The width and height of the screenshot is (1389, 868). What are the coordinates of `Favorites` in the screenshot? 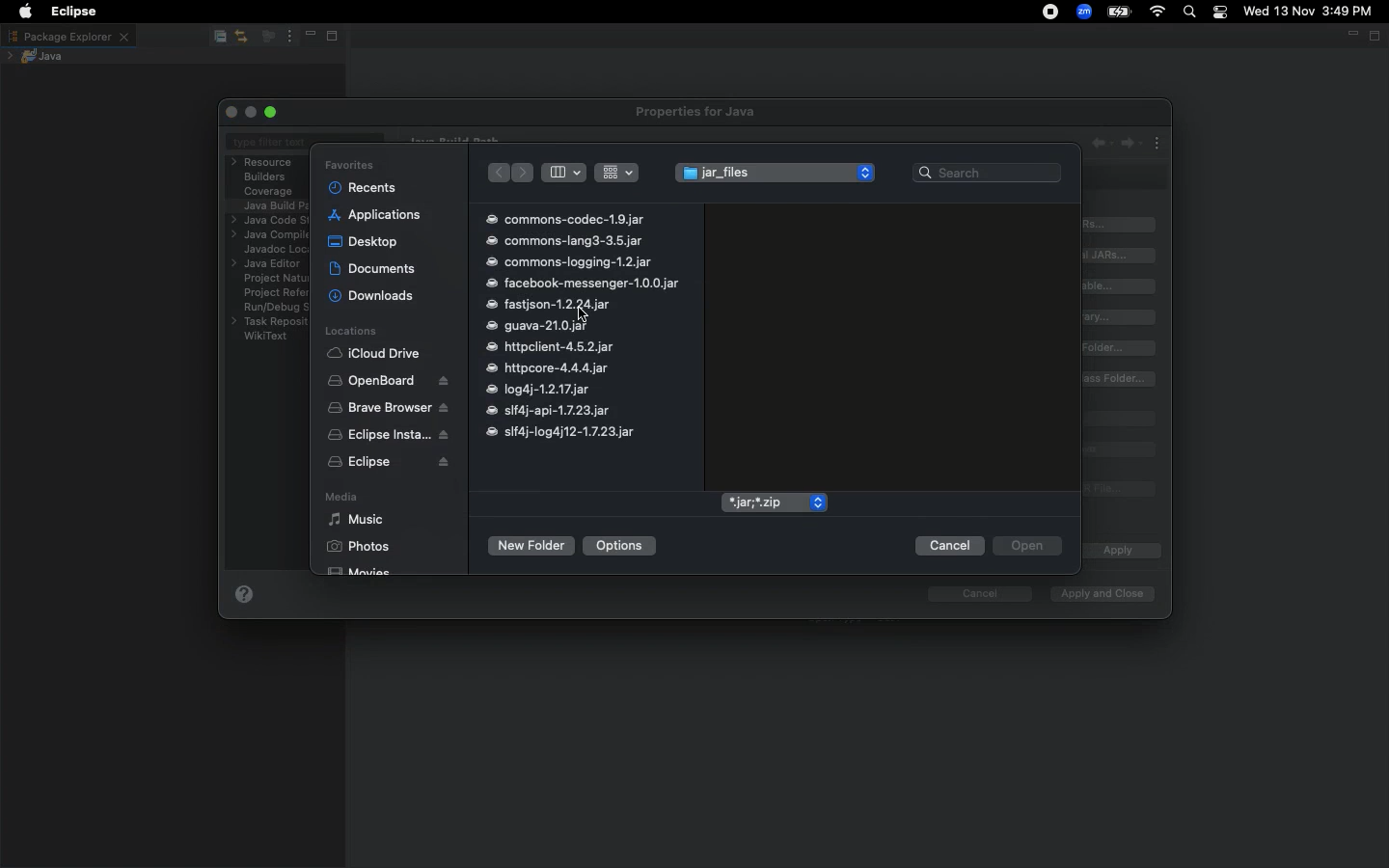 It's located at (349, 165).